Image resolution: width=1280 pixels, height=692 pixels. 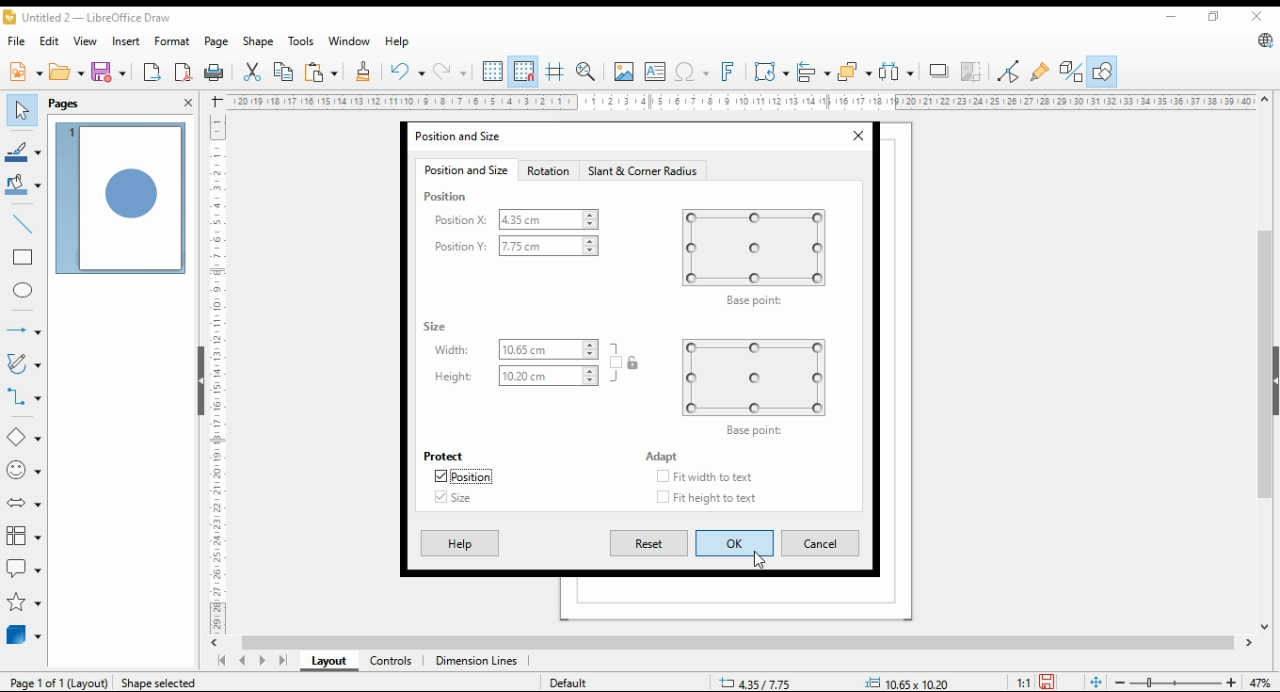 What do you see at coordinates (660, 457) in the screenshot?
I see `adapt` at bounding box center [660, 457].